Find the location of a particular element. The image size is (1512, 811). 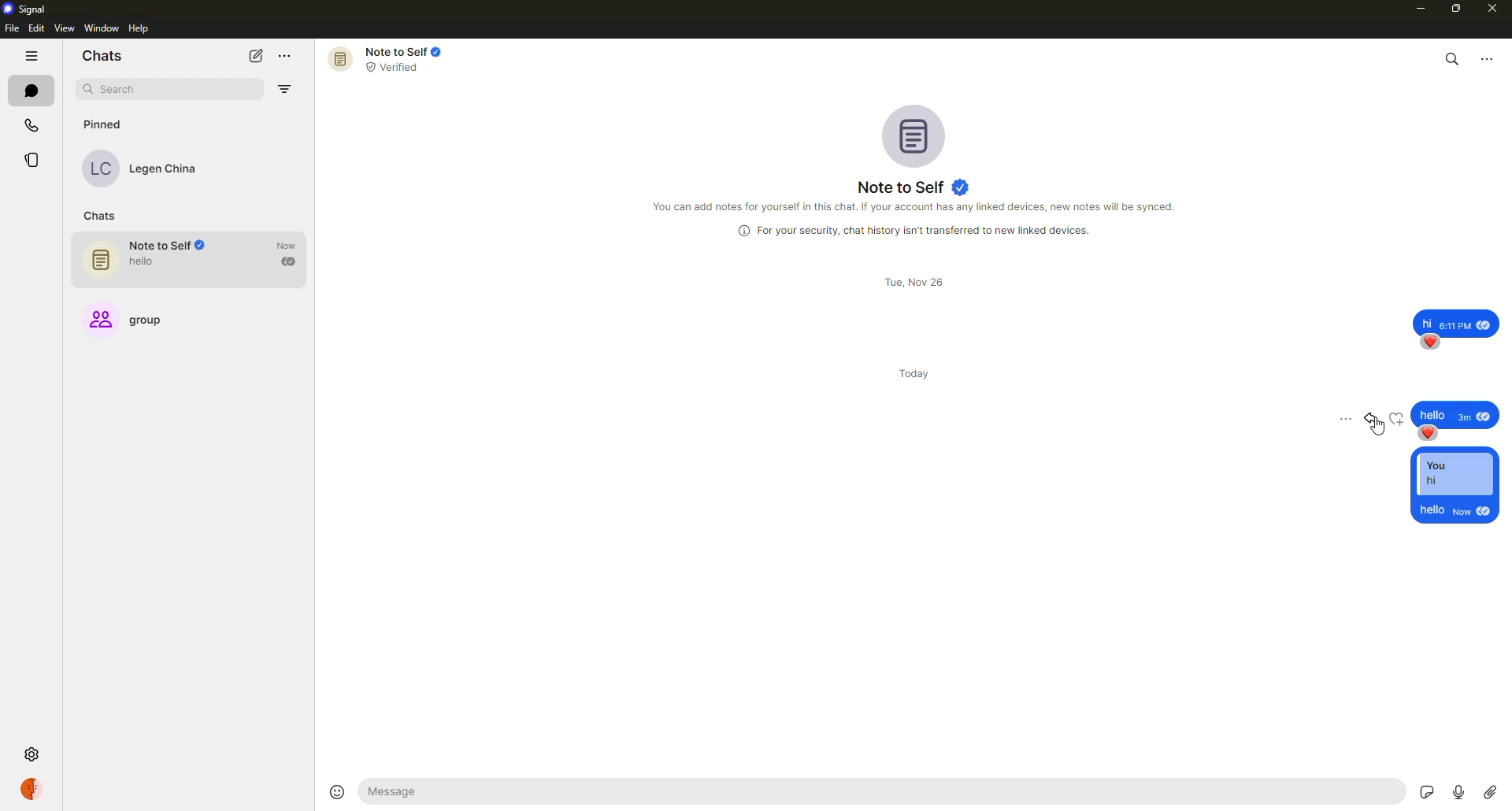

signal is located at coordinates (26, 9).